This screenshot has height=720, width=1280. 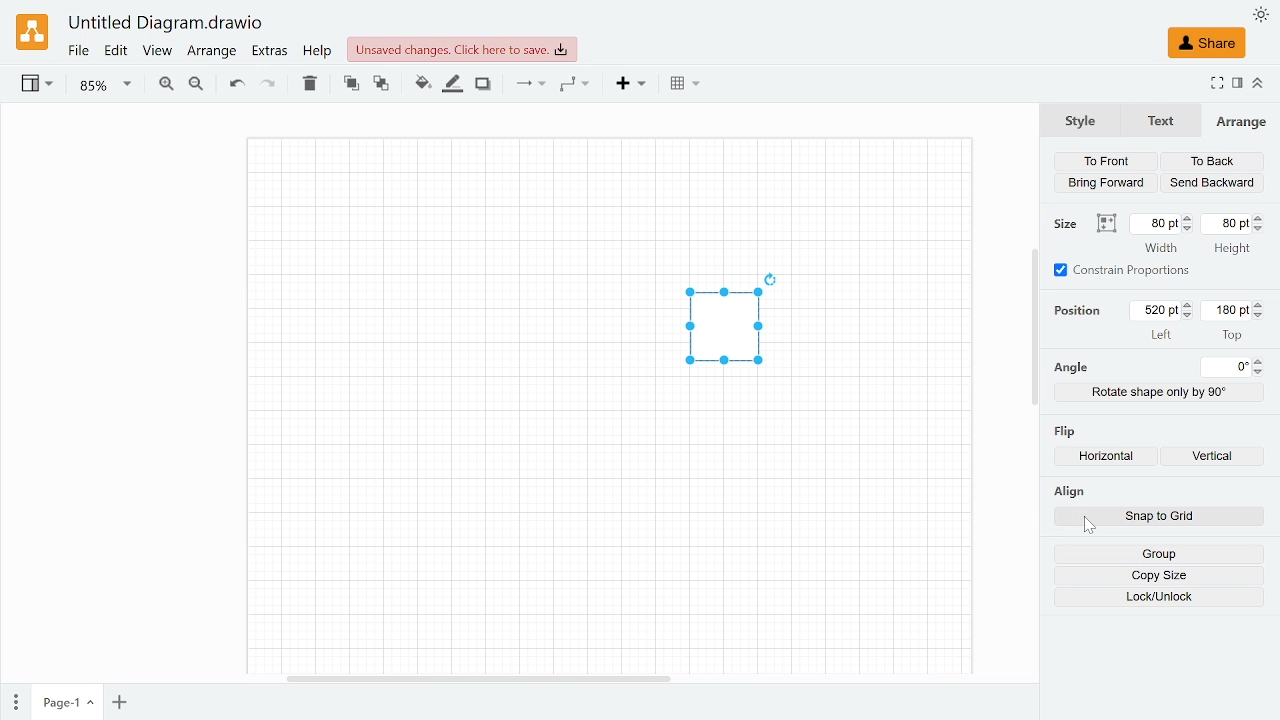 I want to click on Extras, so click(x=271, y=52).